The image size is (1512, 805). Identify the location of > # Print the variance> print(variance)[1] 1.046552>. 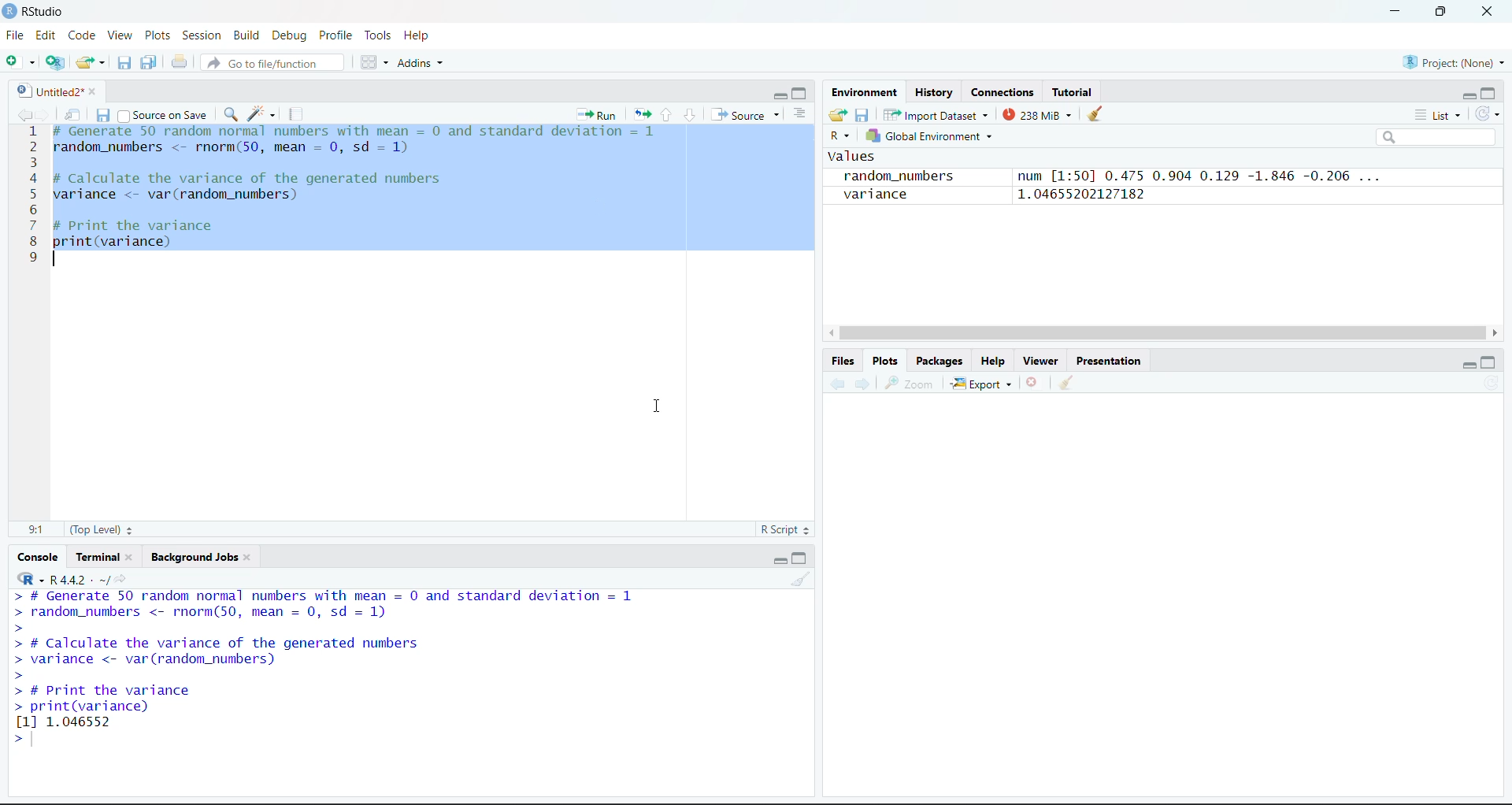
(128, 716).